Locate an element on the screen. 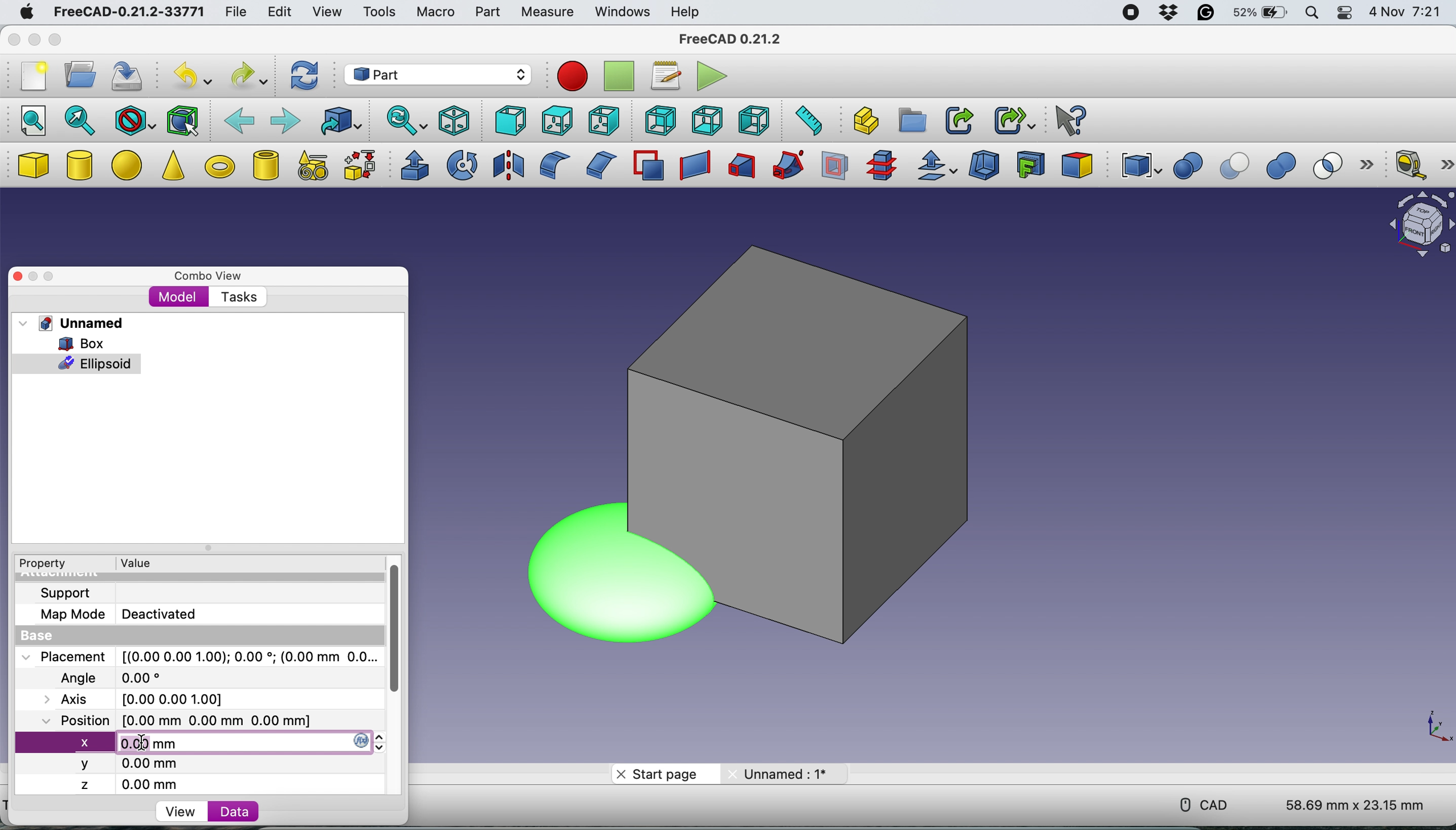 This screenshot has height=830, width=1456. grammarly is located at coordinates (1205, 14).